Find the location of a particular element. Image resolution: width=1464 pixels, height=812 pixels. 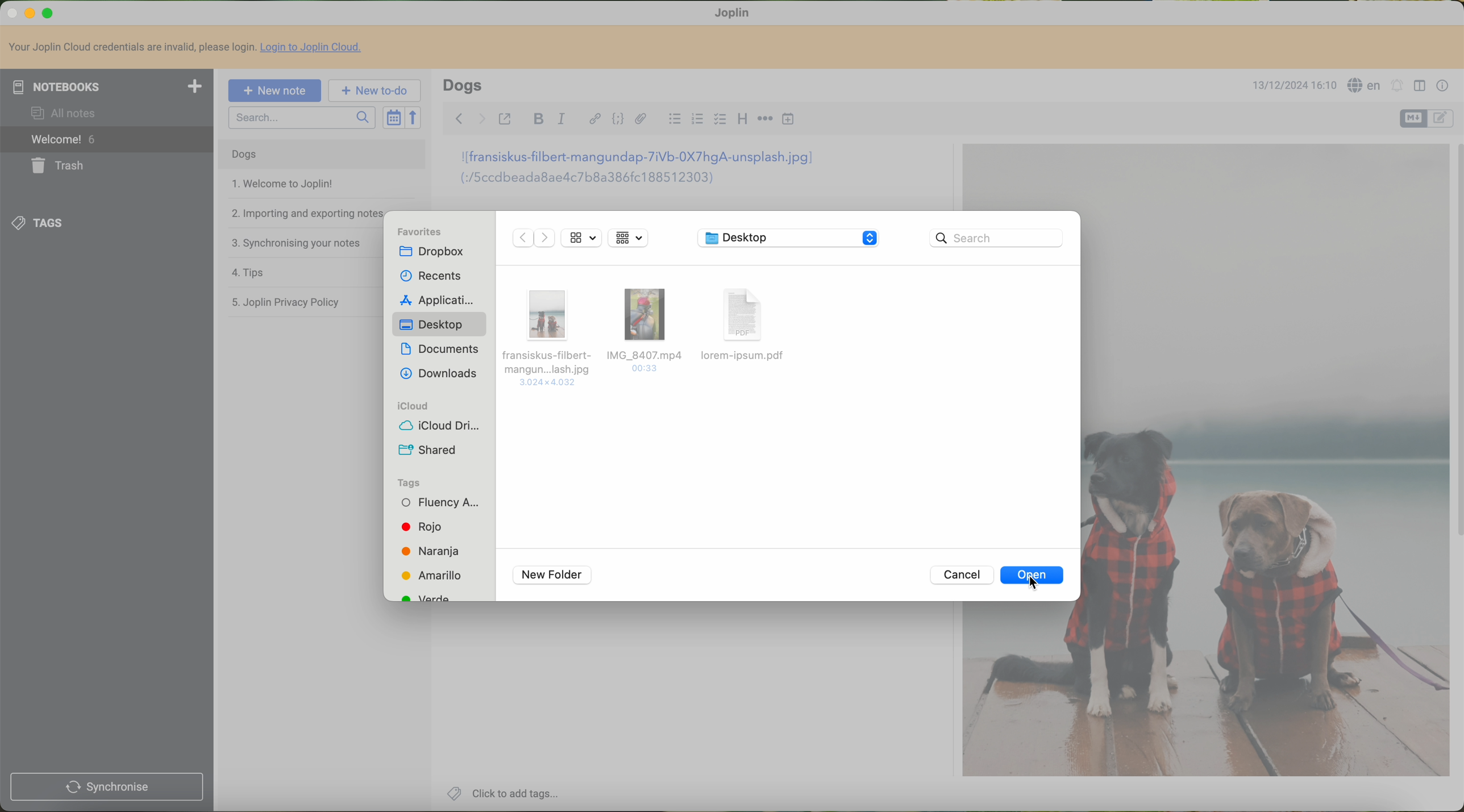

dogs note is located at coordinates (243, 155).